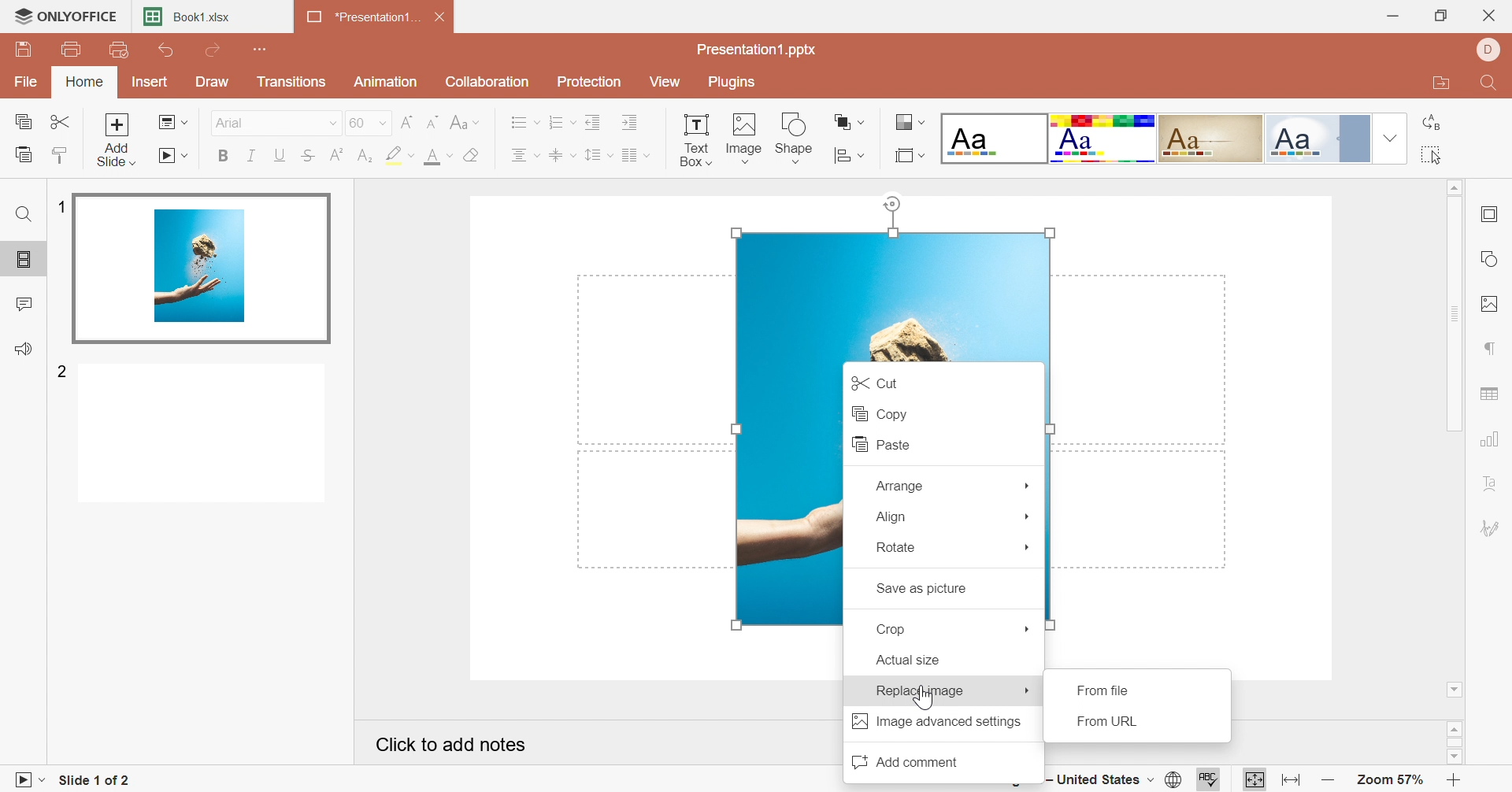  I want to click on Spell checking, so click(1204, 783).